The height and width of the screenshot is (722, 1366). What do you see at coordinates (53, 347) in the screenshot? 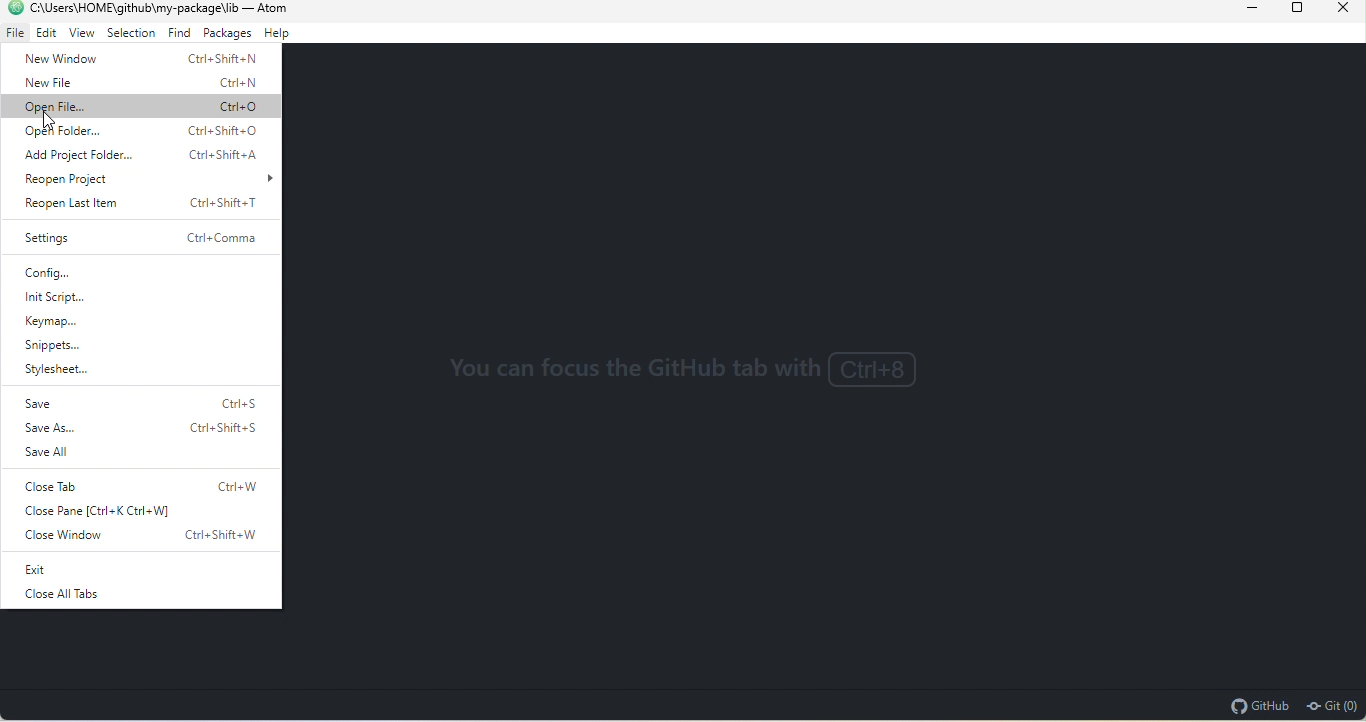
I see `snippets` at bounding box center [53, 347].